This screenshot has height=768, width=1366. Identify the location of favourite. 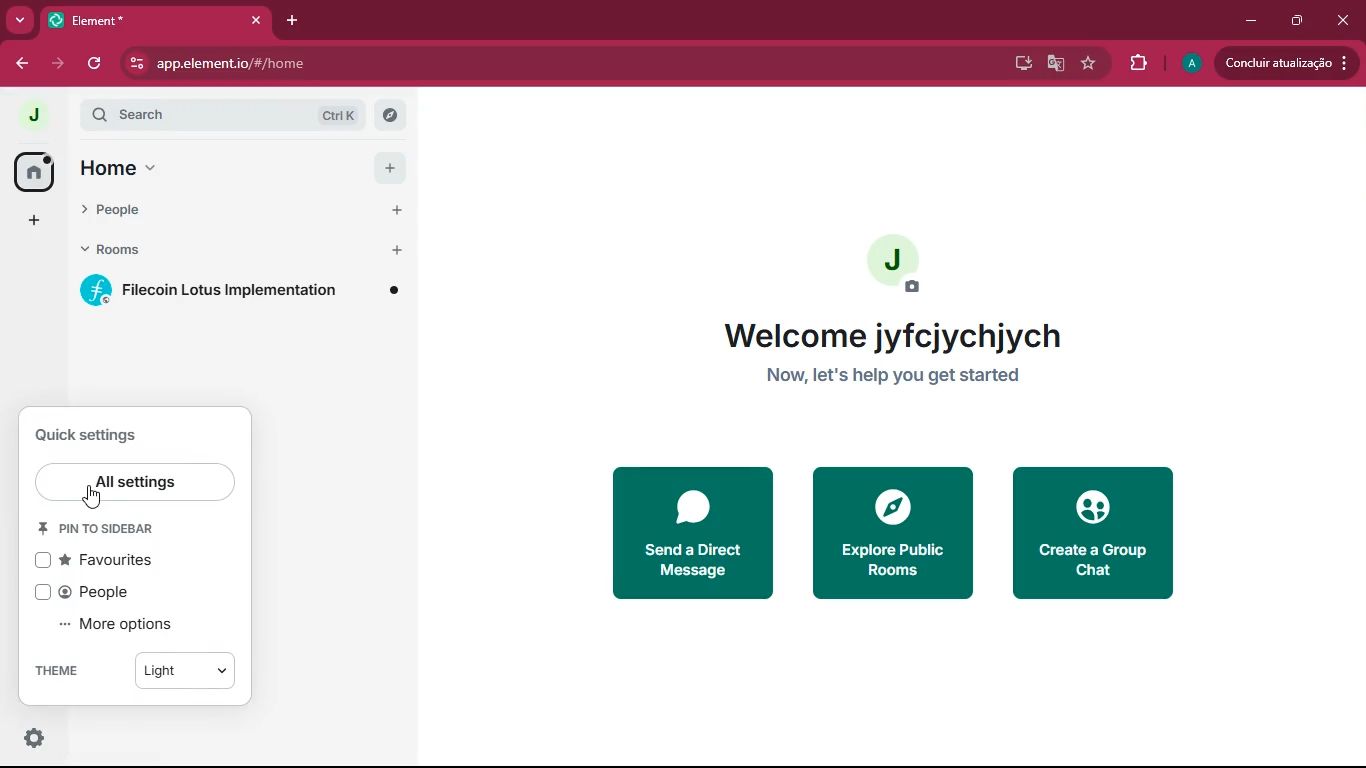
(1086, 64).